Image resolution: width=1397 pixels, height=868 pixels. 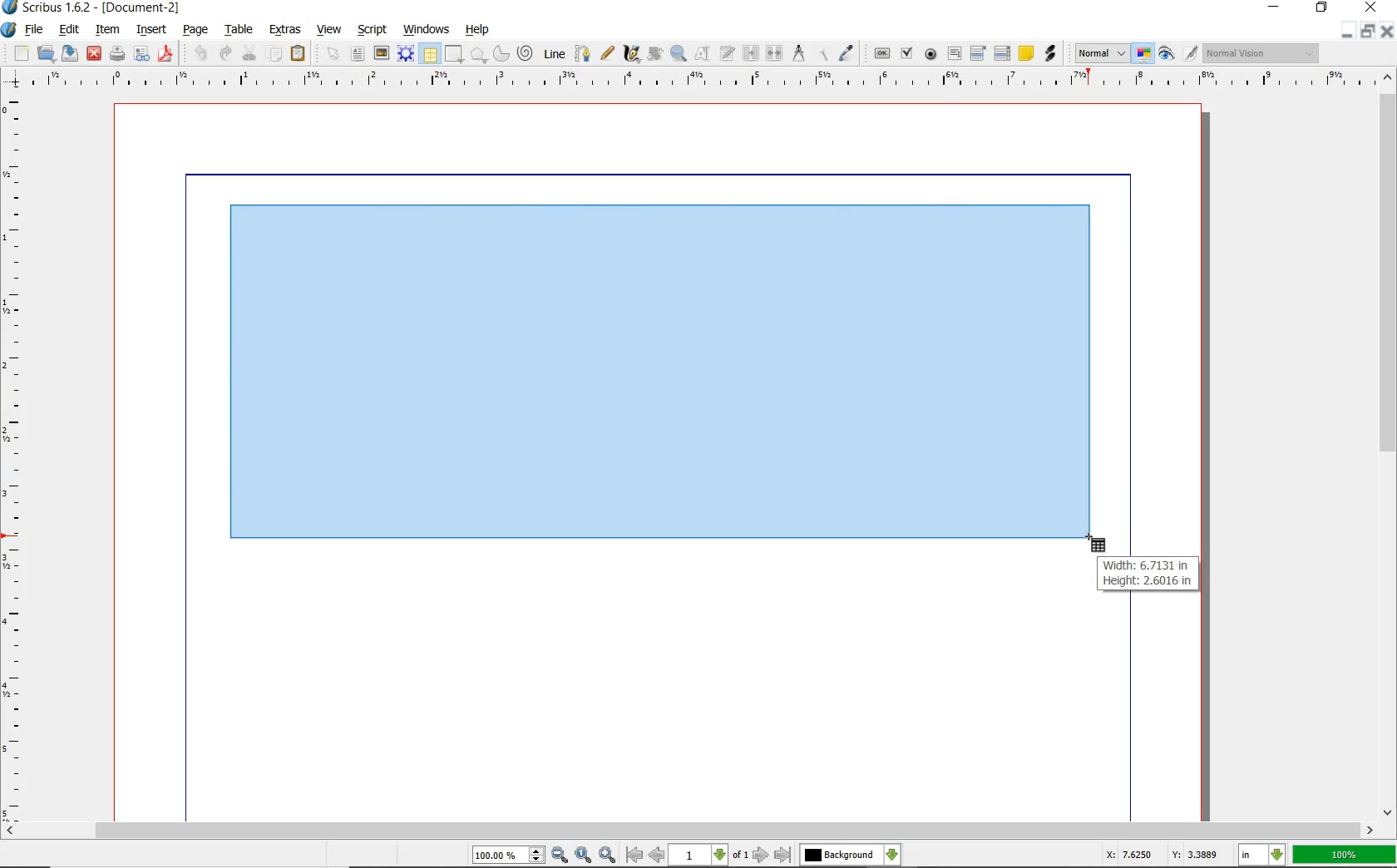 I want to click on minimize, so click(x=1347, y=31).